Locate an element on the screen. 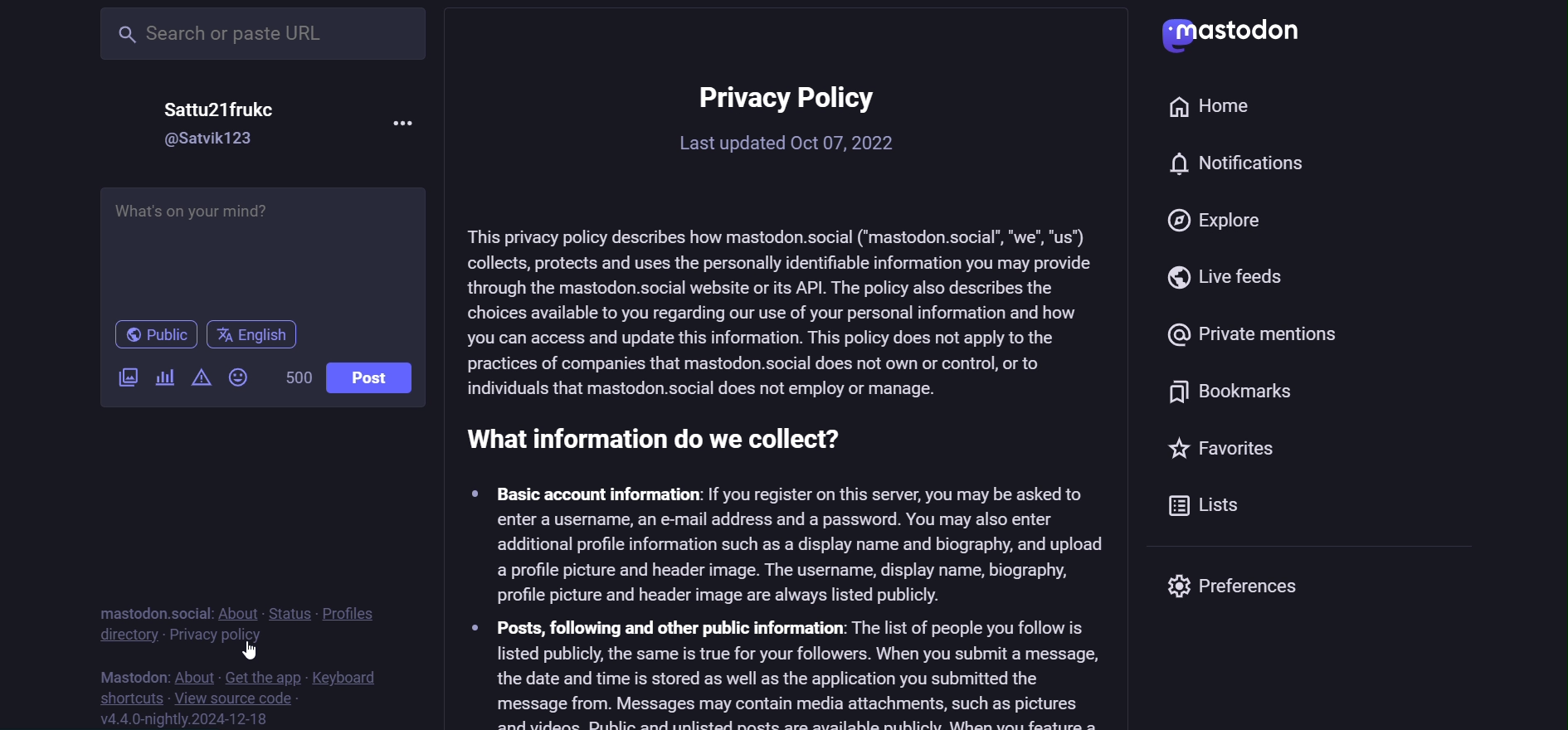  cursor is located at coordinates (254, 650).